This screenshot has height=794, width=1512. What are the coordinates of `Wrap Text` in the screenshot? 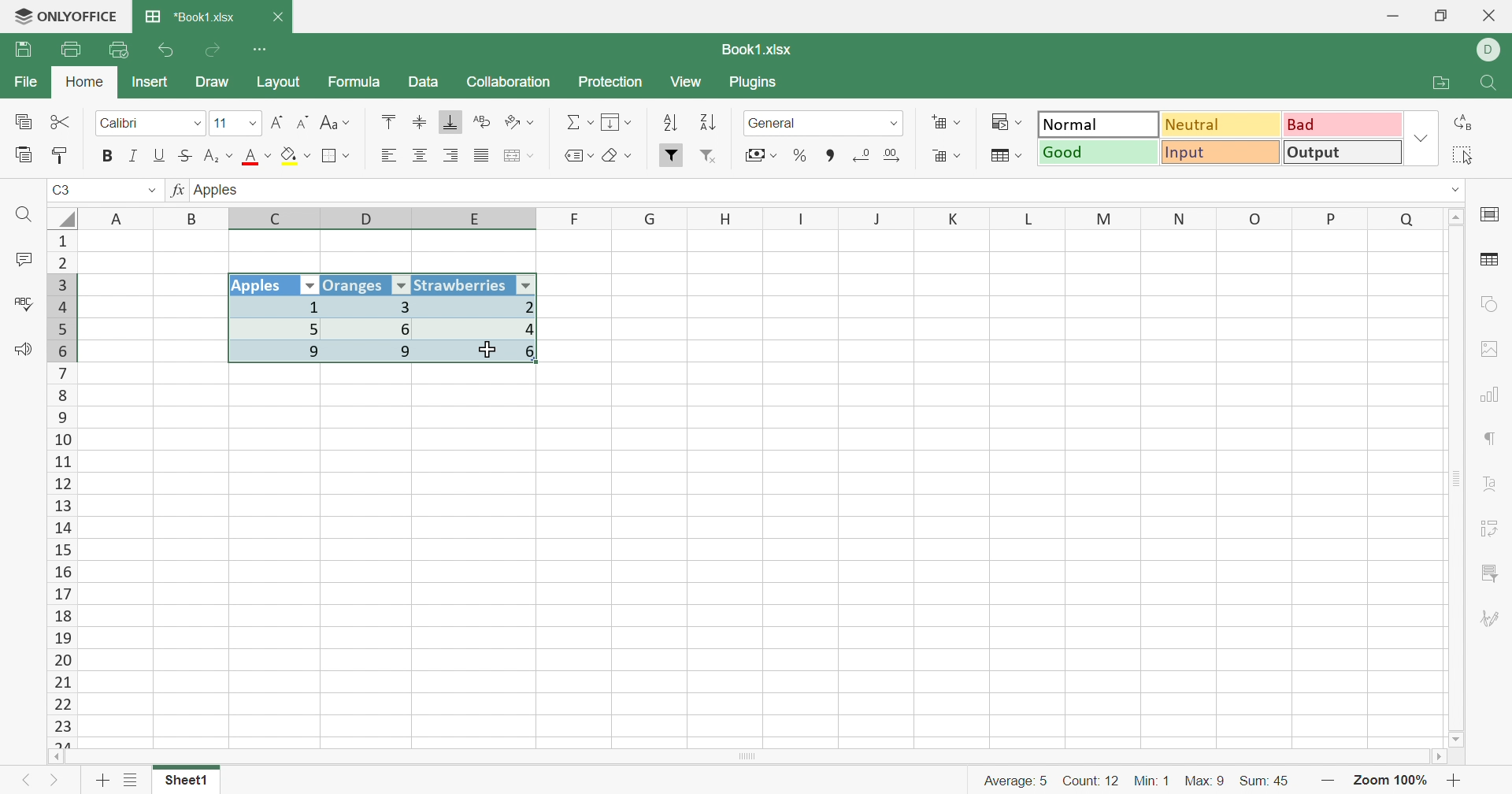 It's located at (480, 123).